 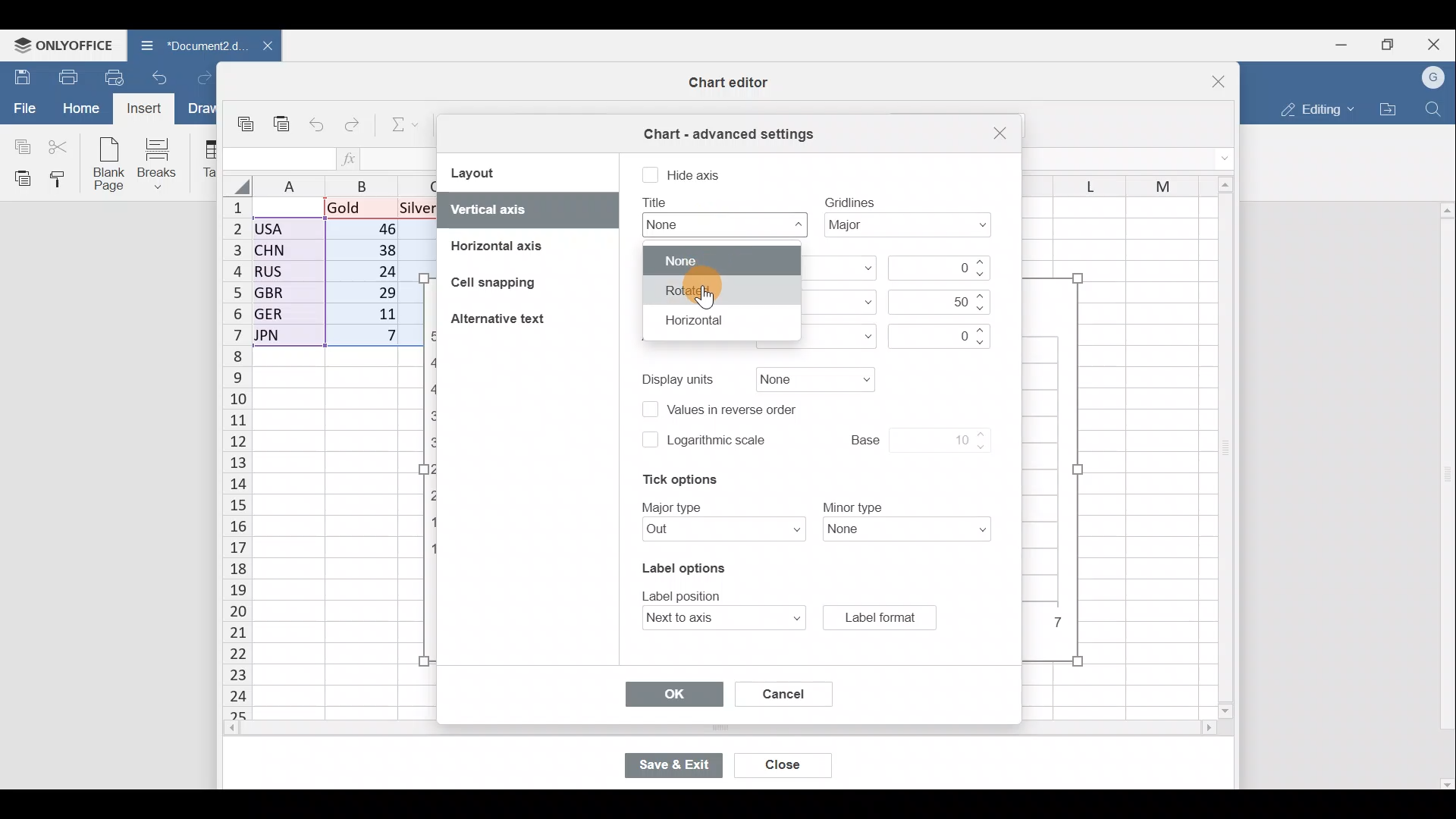 I want to click on text, so click(x=674, y=506).